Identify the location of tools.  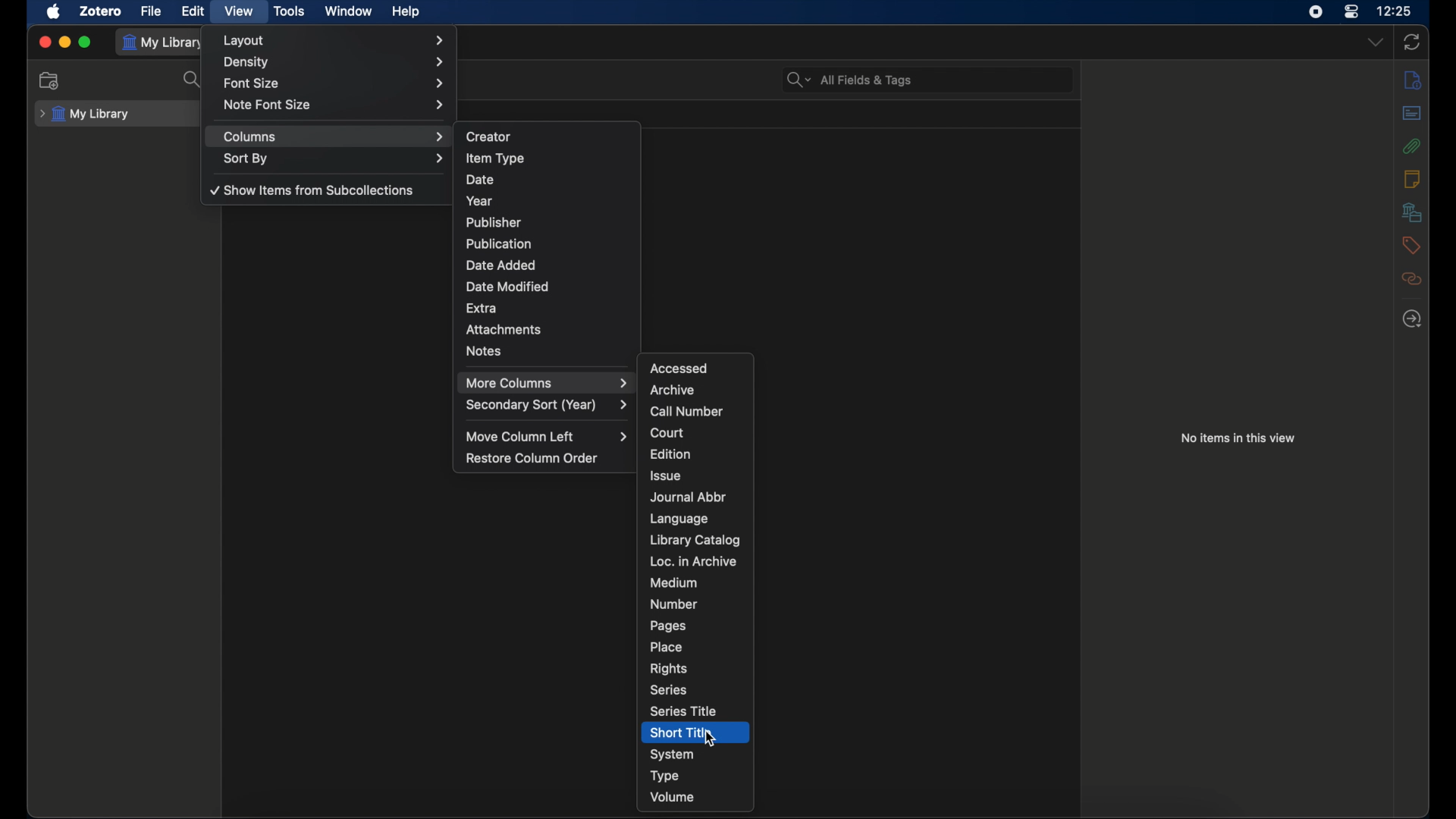
(290, 11).